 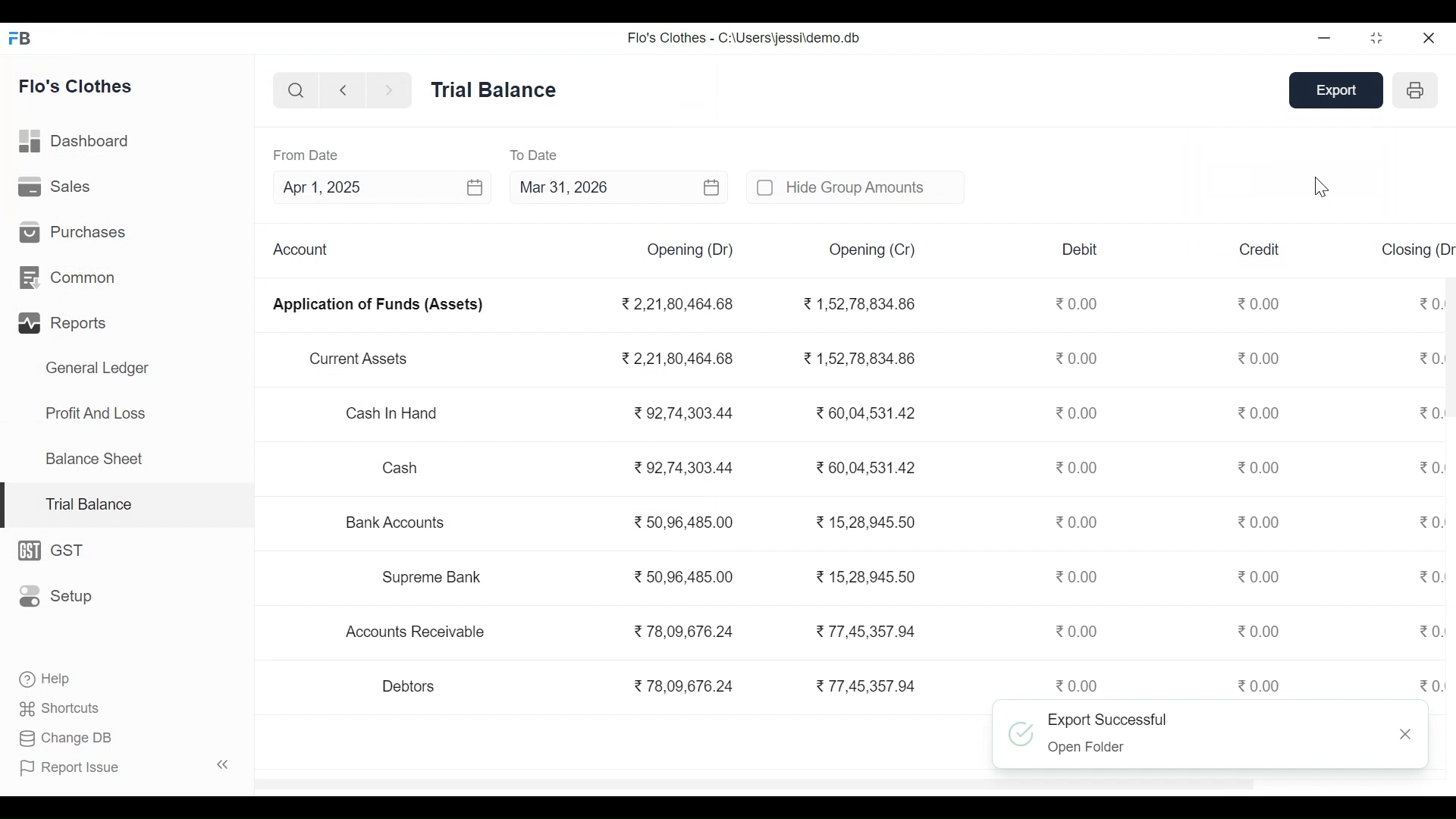 I want to click on Balance Sheet, so click(x=96, y=458).